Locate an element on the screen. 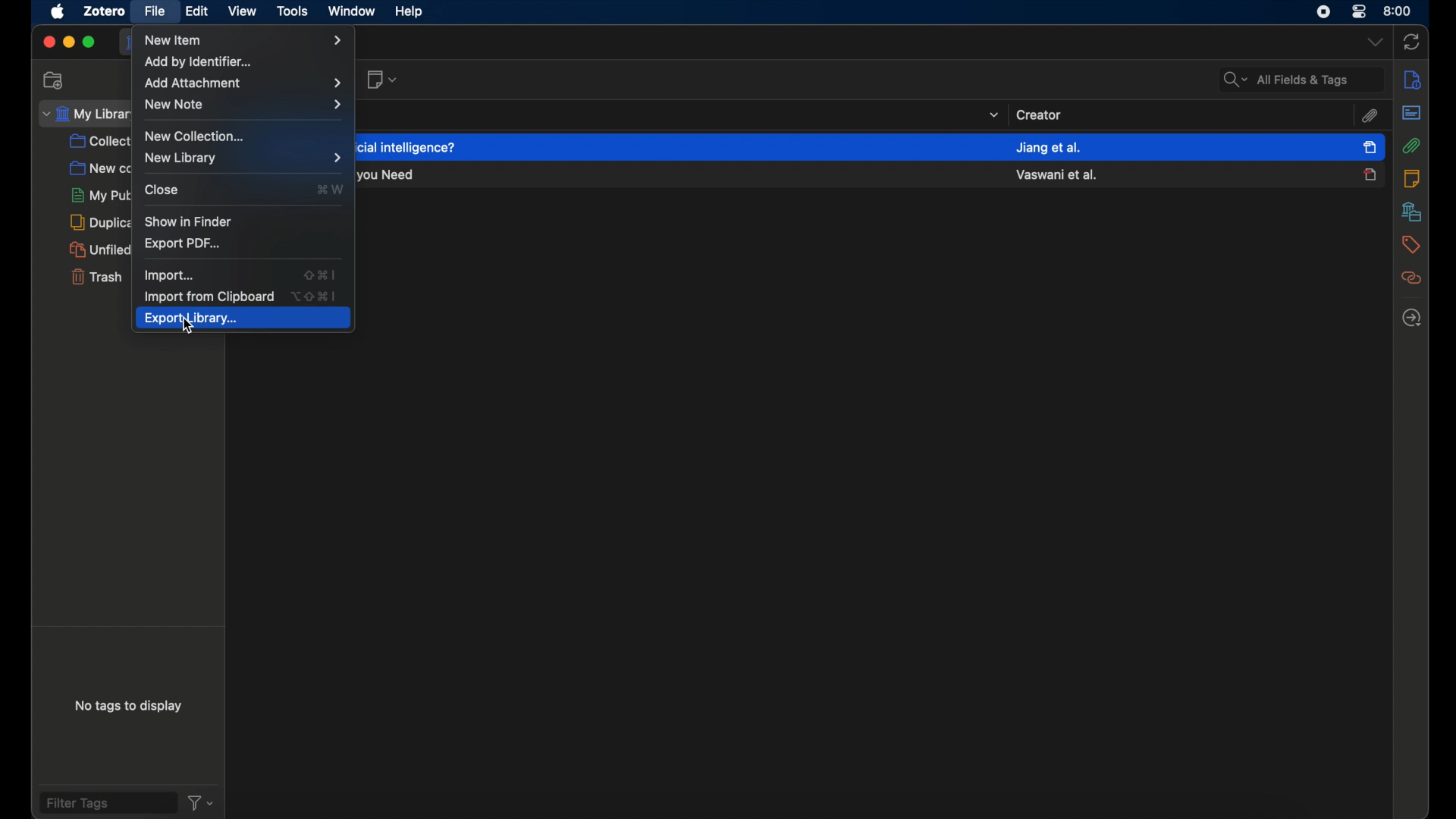  cursor is located at coordinates (193, 329).